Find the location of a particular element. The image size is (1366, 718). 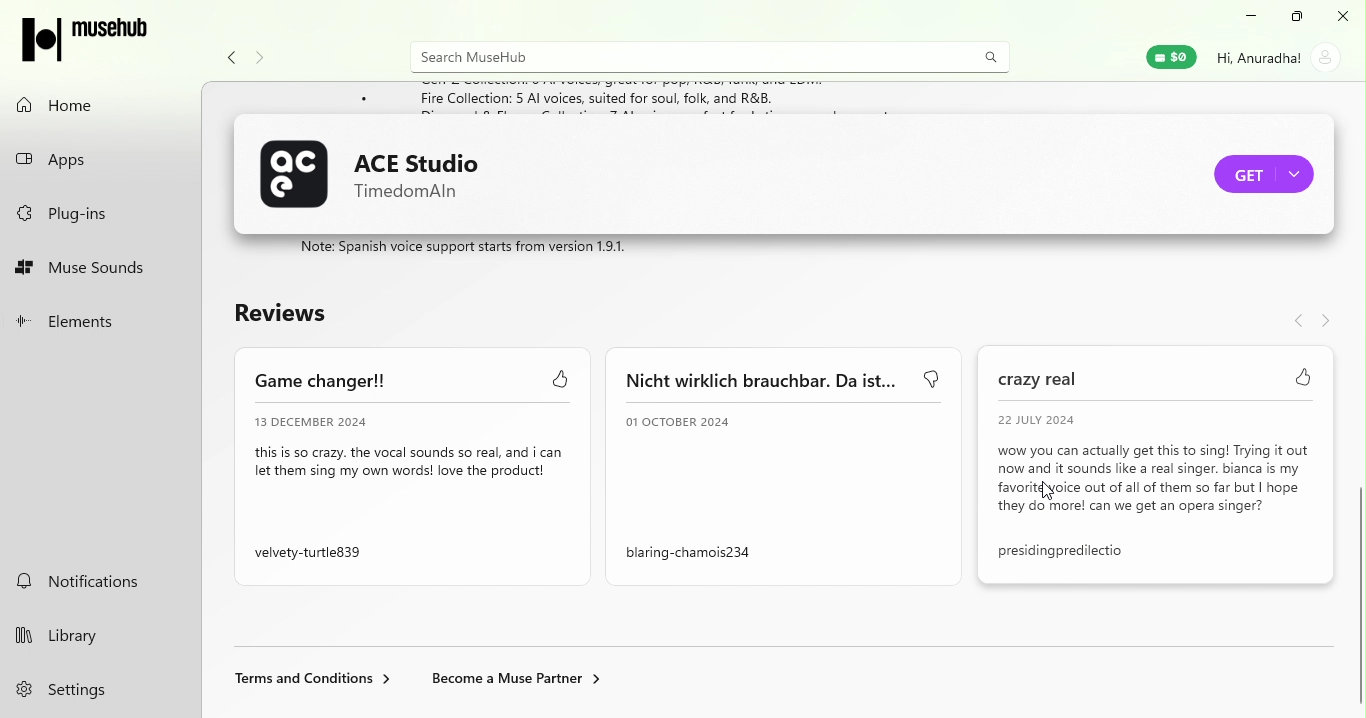

muse wallet is located at coordinates (1167, 56).